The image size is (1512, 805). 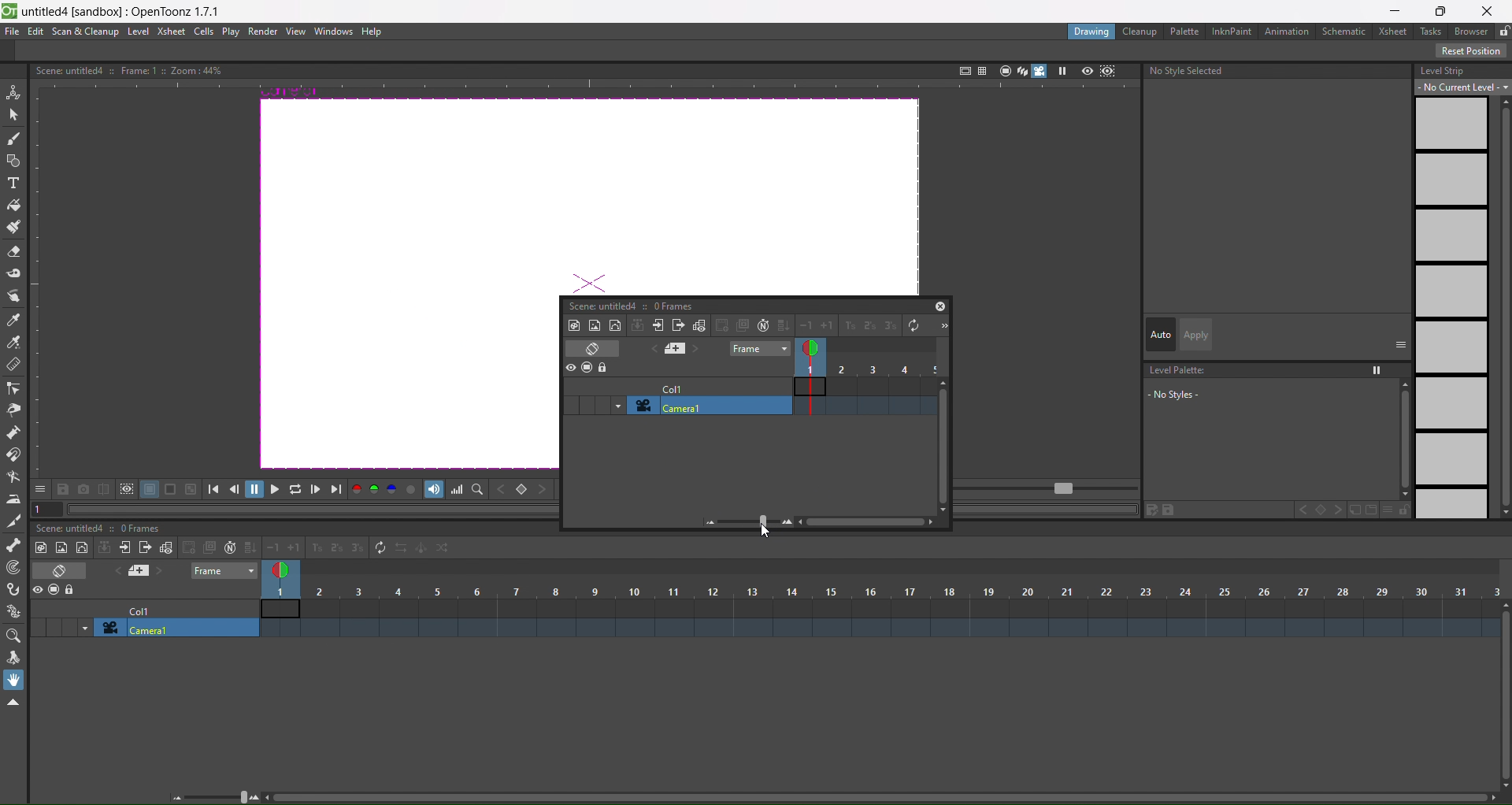 What do you see at coordinates (231, 32) in the screenshot?
I see `play` at bounding box center [231, 32].